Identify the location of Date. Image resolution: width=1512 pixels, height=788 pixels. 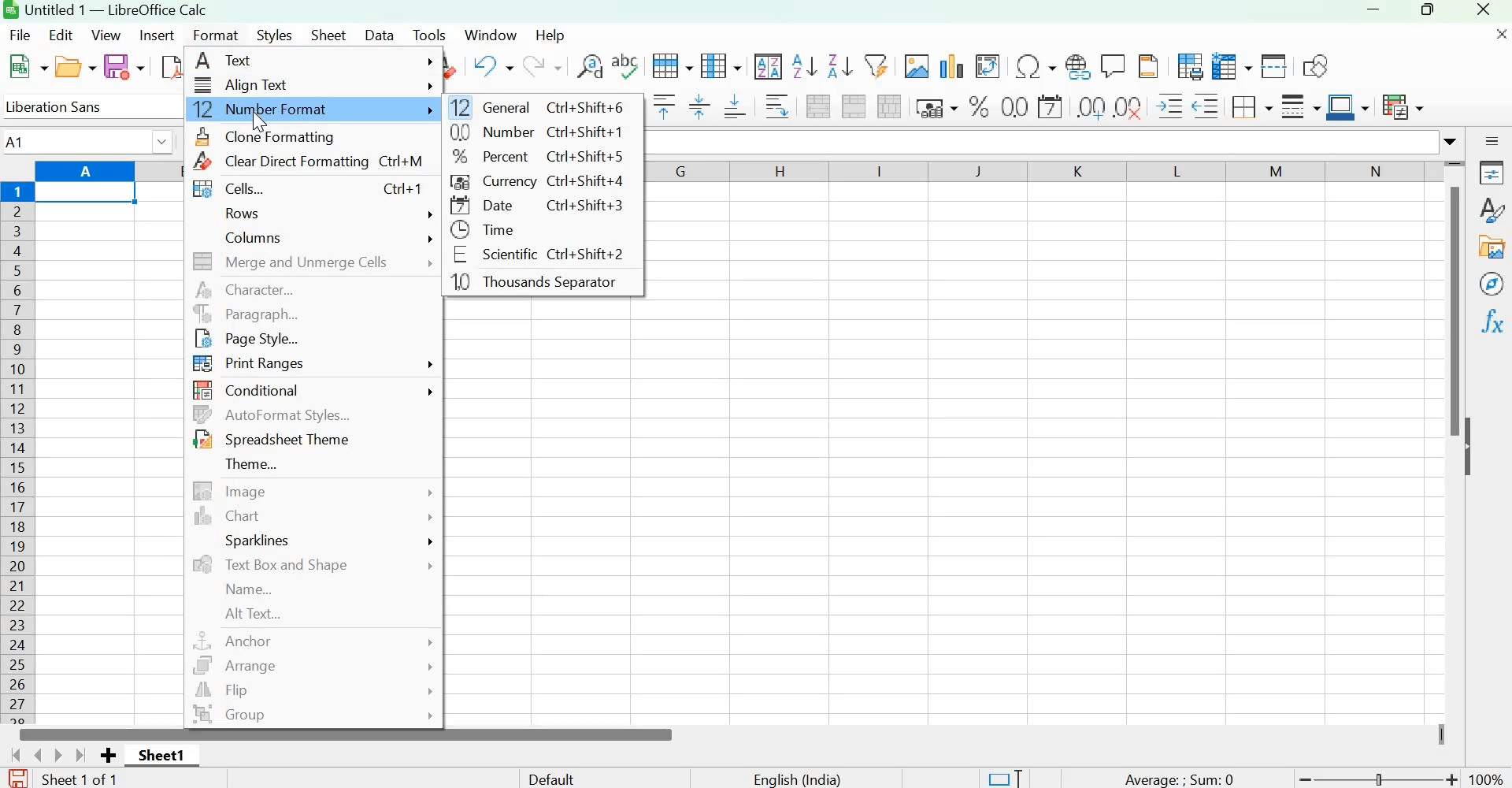
(535, 206).